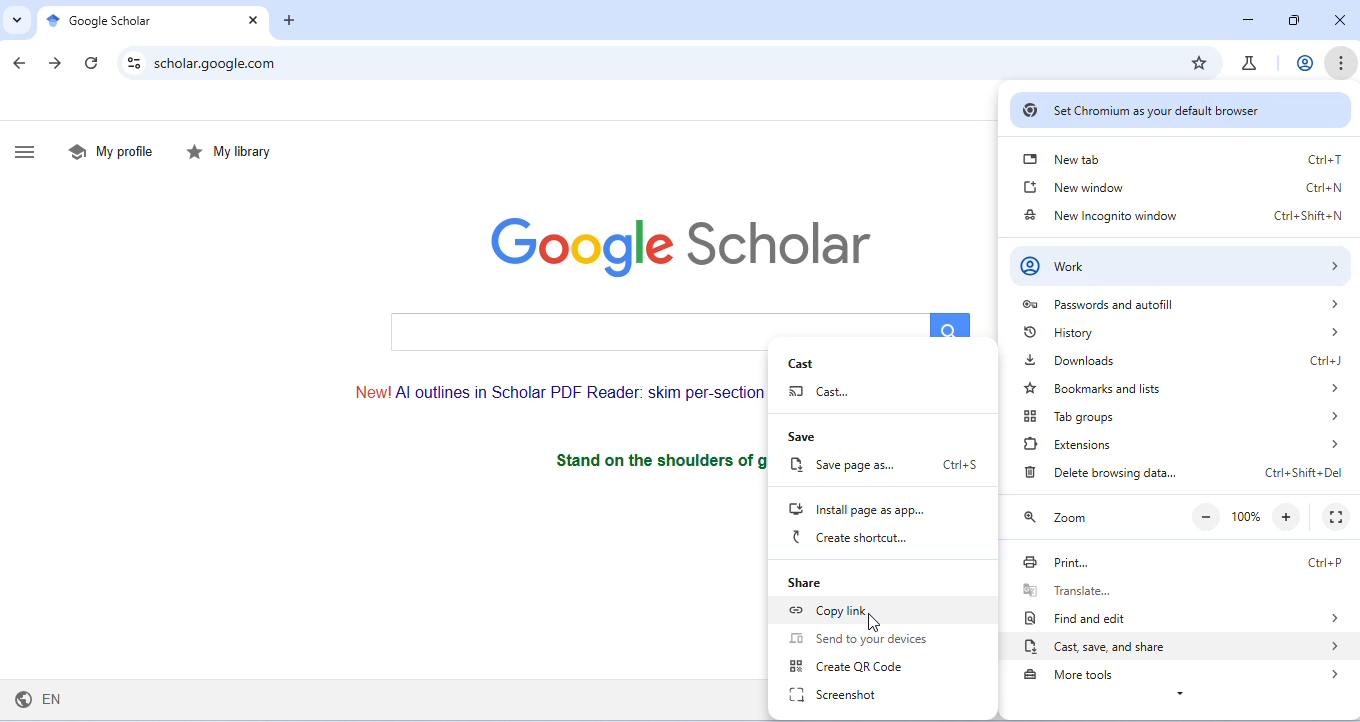  I want to click on cursor movement, so click(873, 621).